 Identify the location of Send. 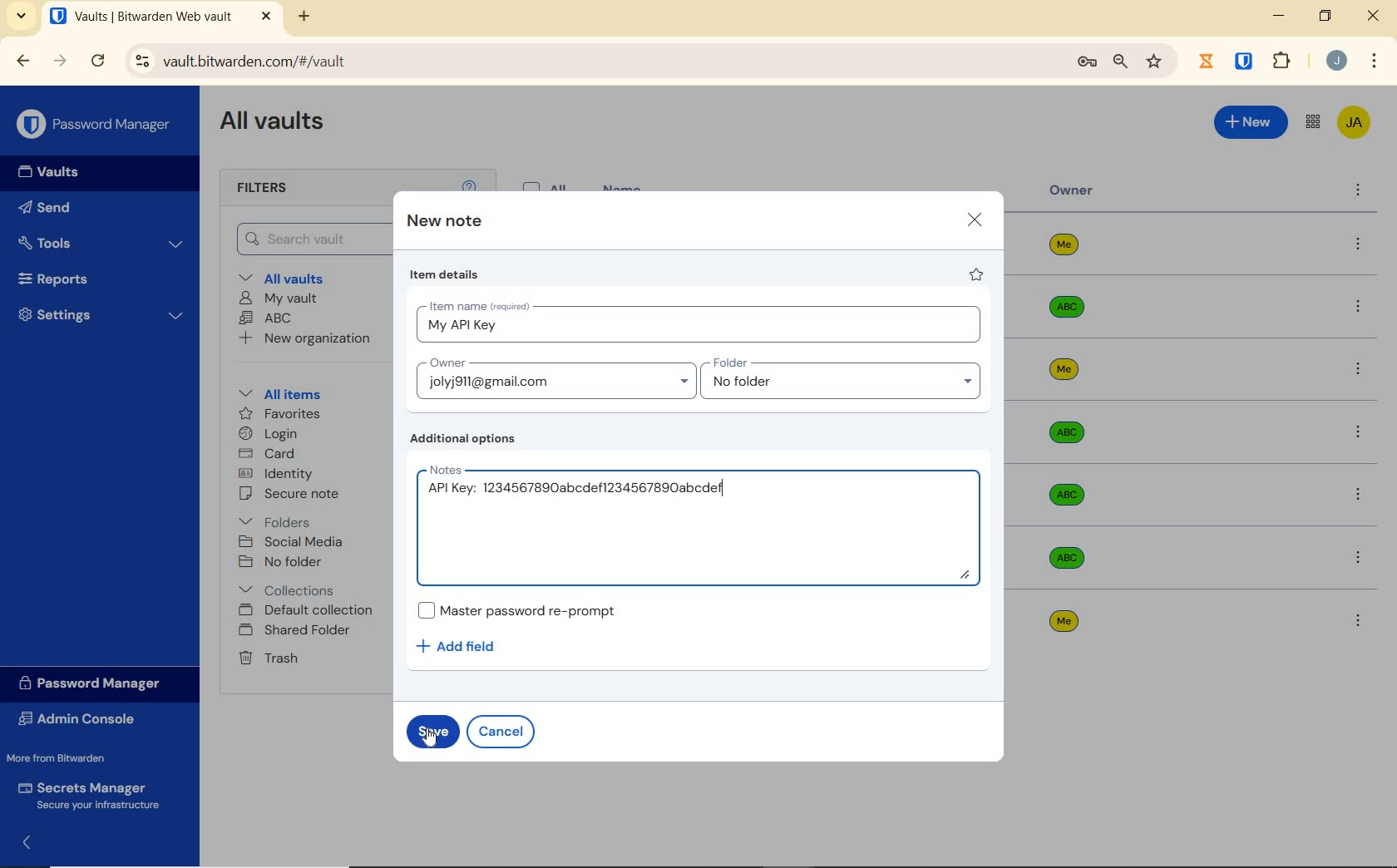
(76, 210).